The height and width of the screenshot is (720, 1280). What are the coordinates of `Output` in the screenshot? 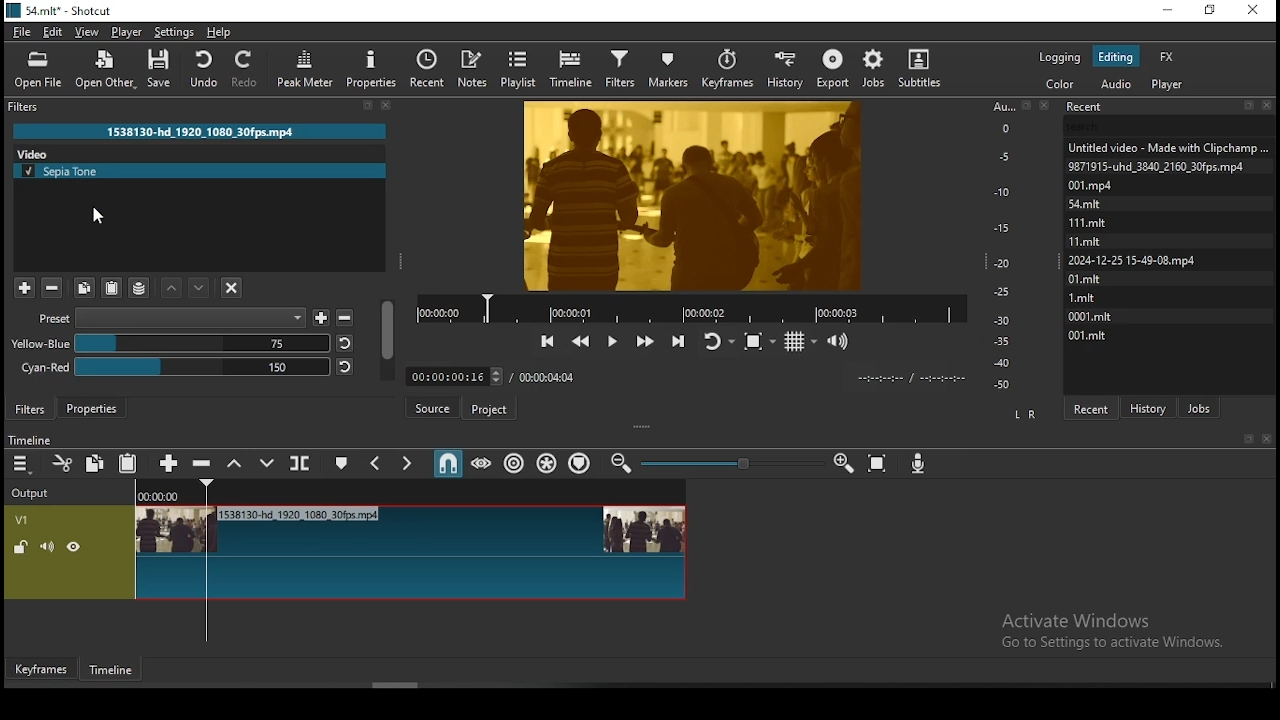 It's located at (36, 491).